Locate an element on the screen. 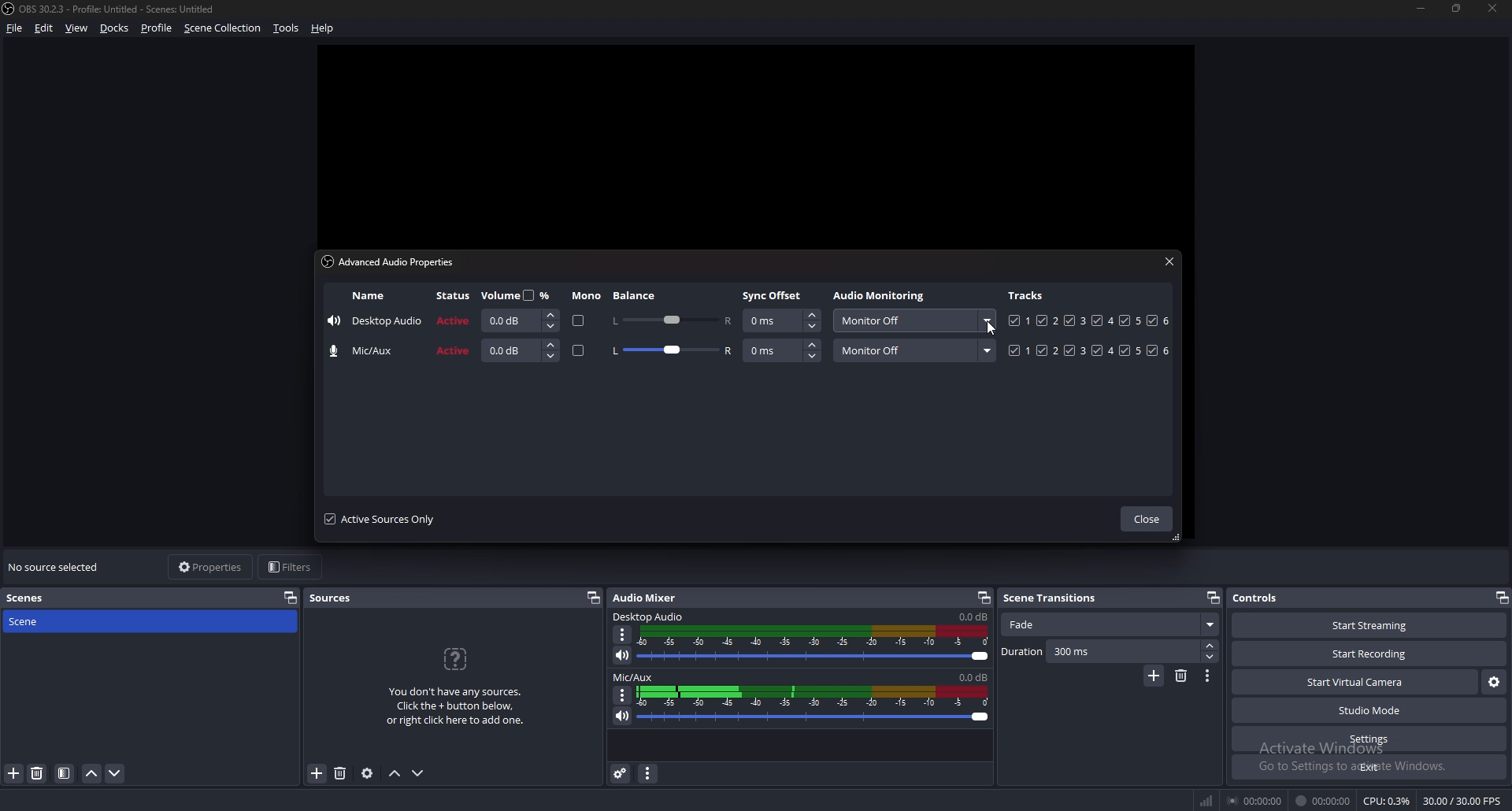 This screenshot has height=811, width=1512. mic/aux is located at coordinates (367, 351).